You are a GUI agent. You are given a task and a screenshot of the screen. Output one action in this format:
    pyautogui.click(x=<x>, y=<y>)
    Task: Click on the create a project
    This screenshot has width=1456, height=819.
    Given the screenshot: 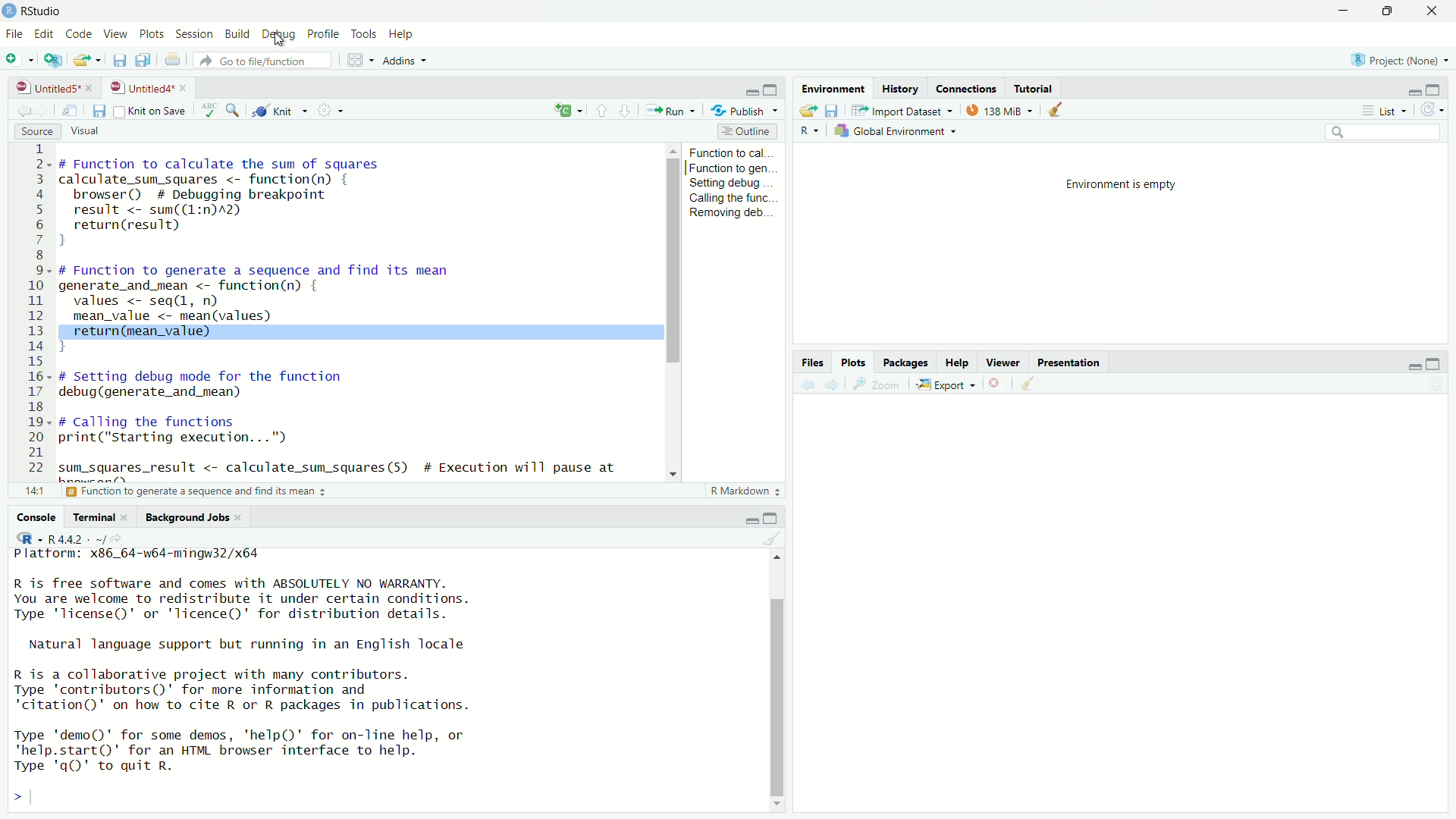 What is the action you would take?
    pyautogui.click(x=52, y=58)
    